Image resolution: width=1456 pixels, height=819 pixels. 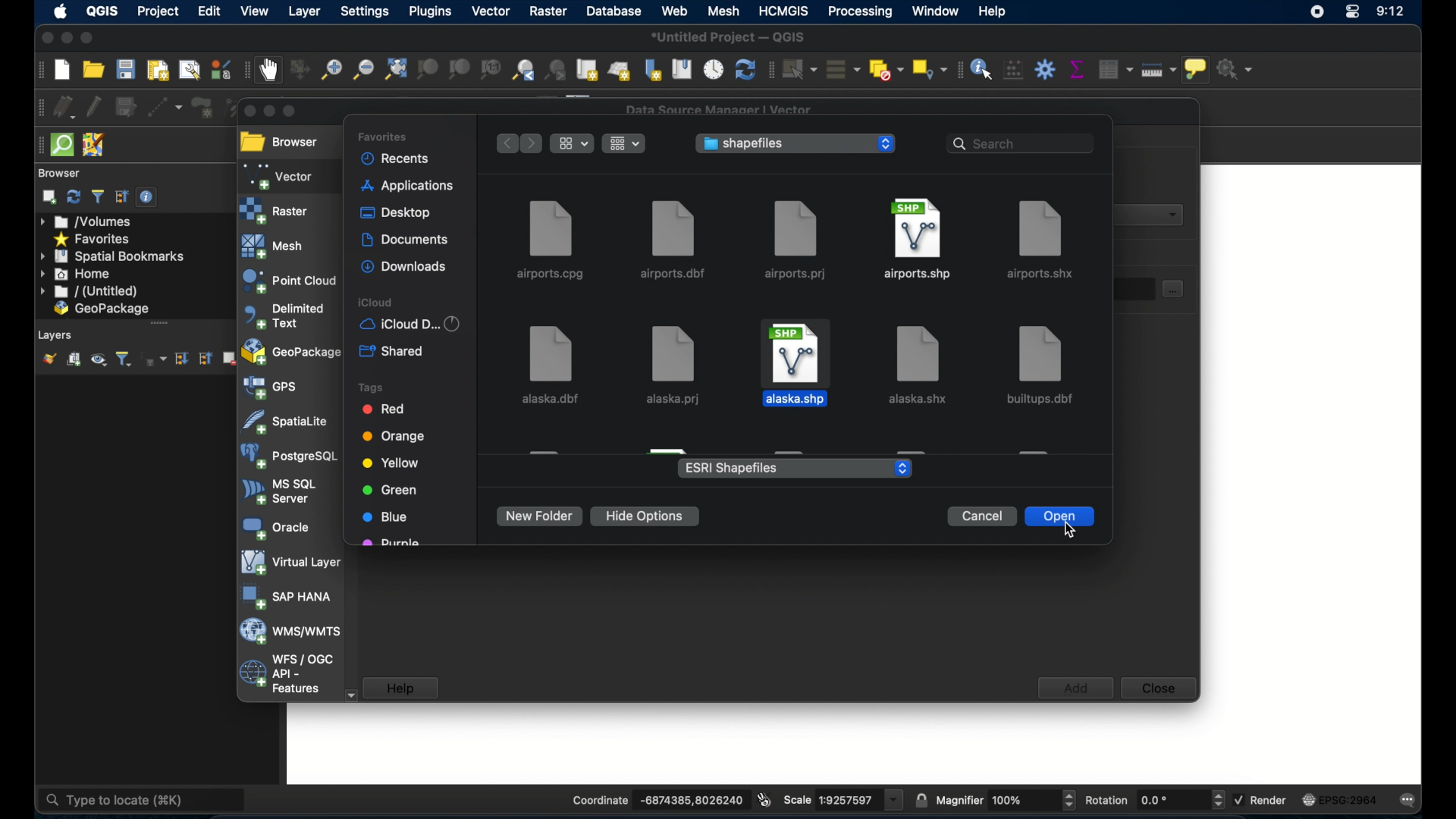 I want to click on quicksom, so click(x=61, y=146).